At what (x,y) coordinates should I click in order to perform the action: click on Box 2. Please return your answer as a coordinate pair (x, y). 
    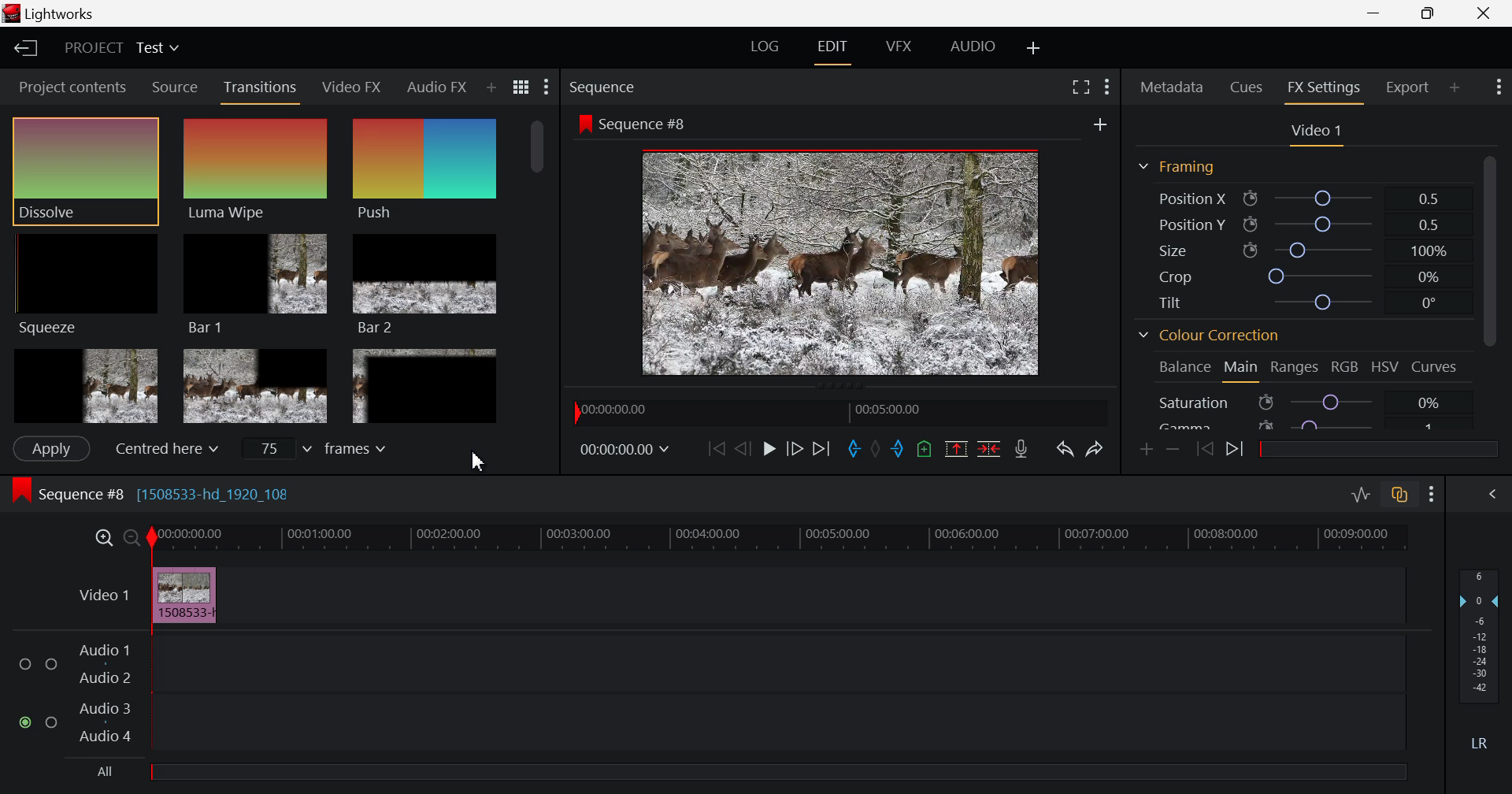
    Looking at the image, I should click on (257, 385).